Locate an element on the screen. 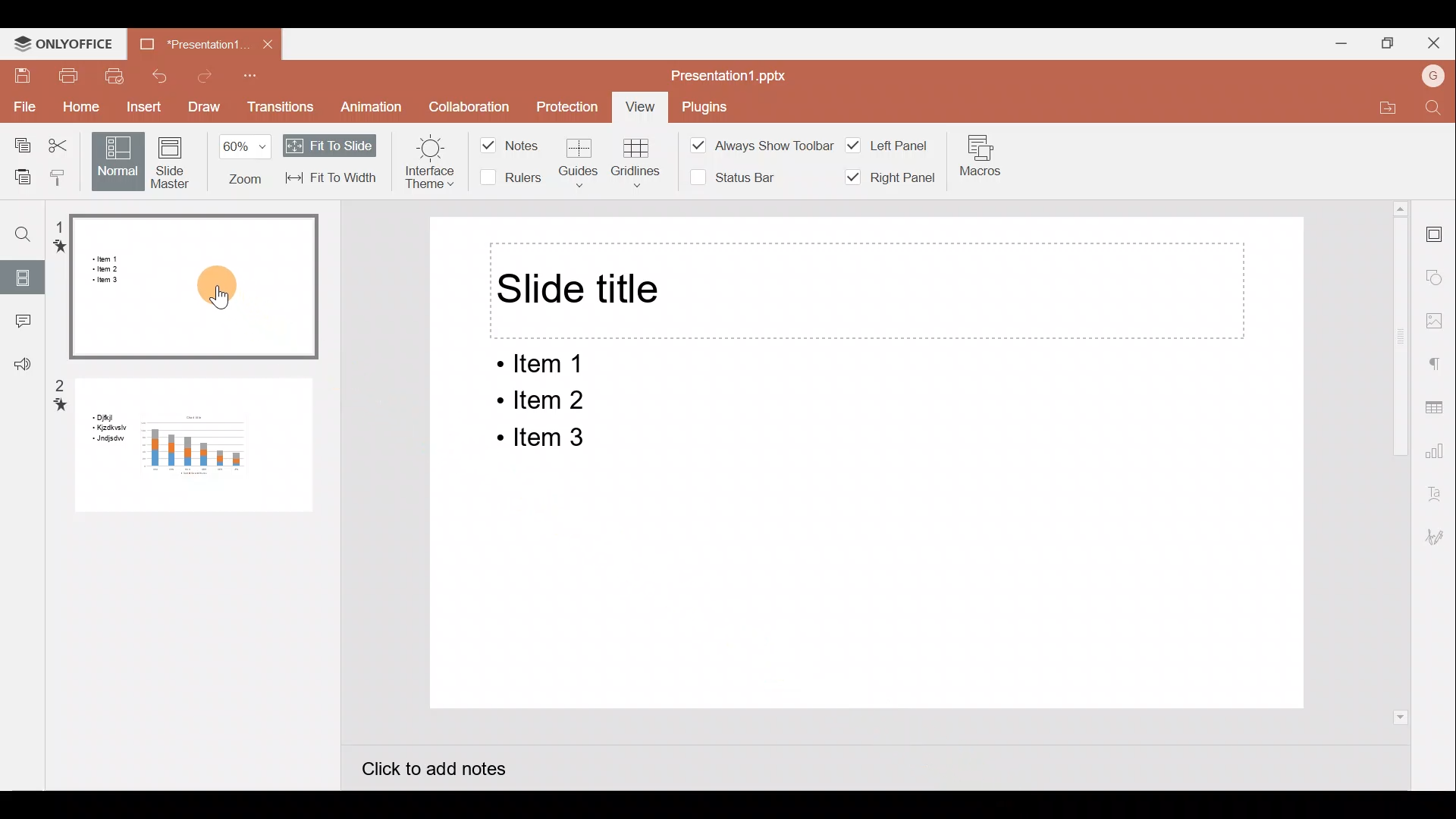  Shapes settings is located at coordinates (1437, 275).